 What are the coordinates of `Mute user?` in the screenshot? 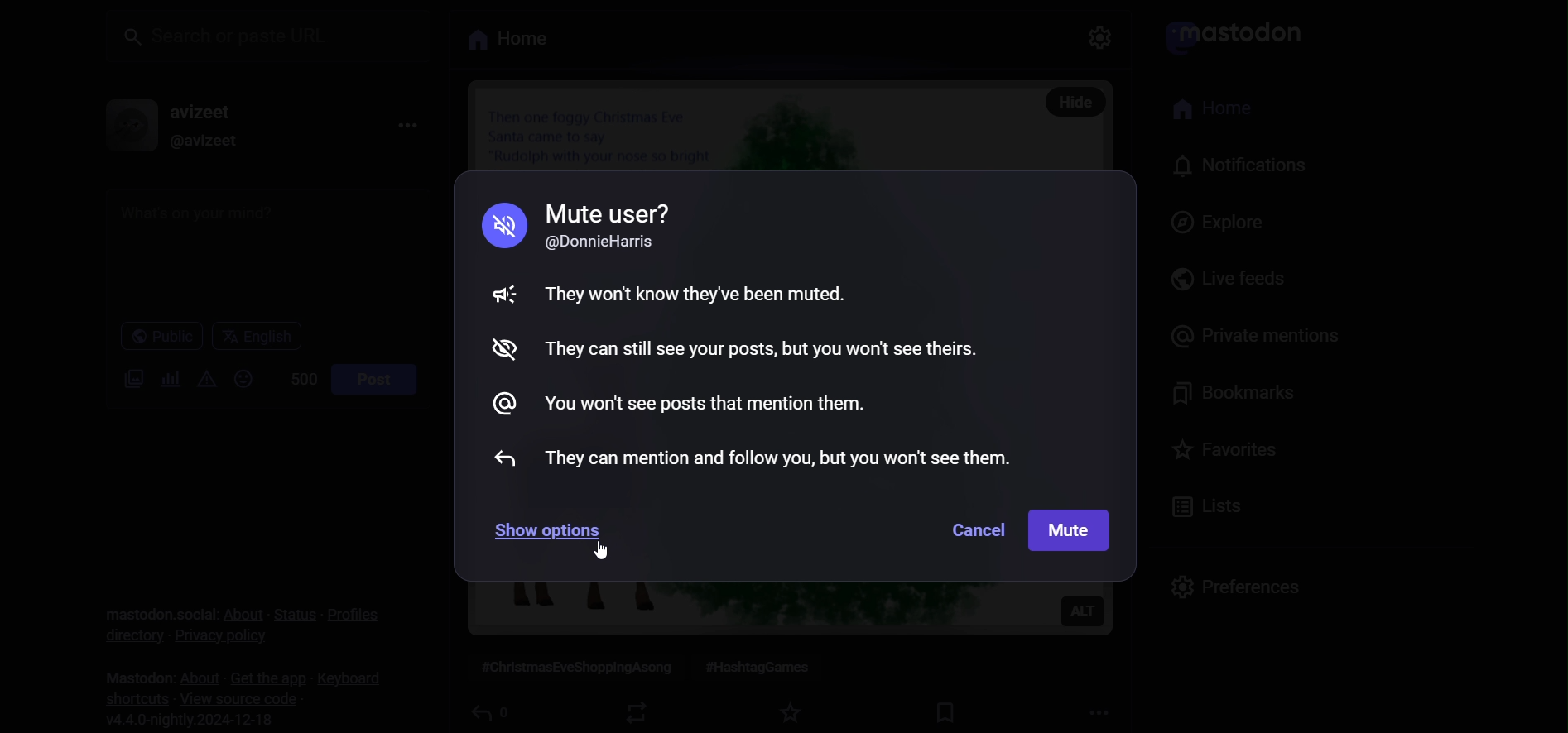 It's located at (608, 211).